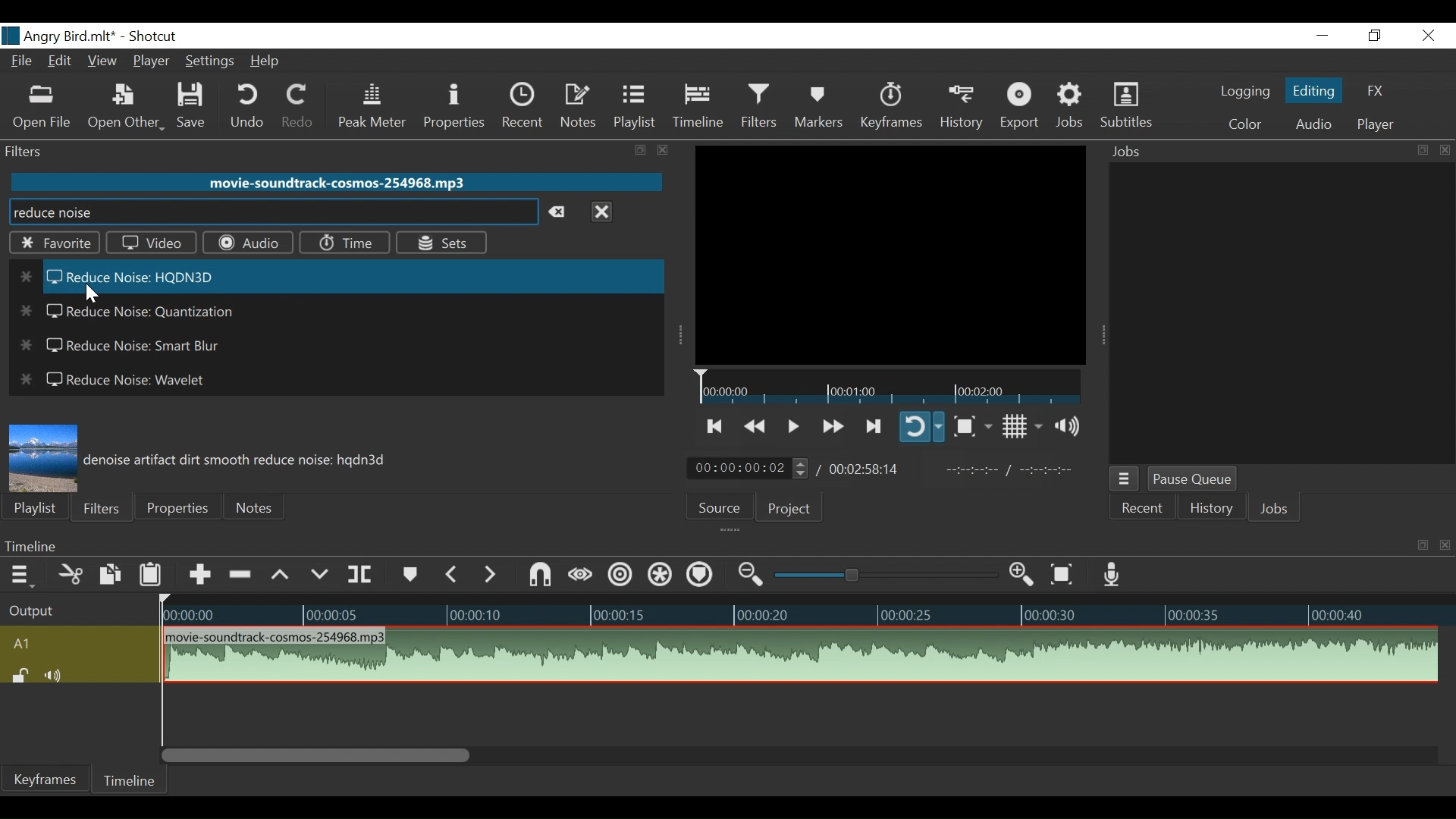  I want to click on Play forward quickly, so click(874, 425).